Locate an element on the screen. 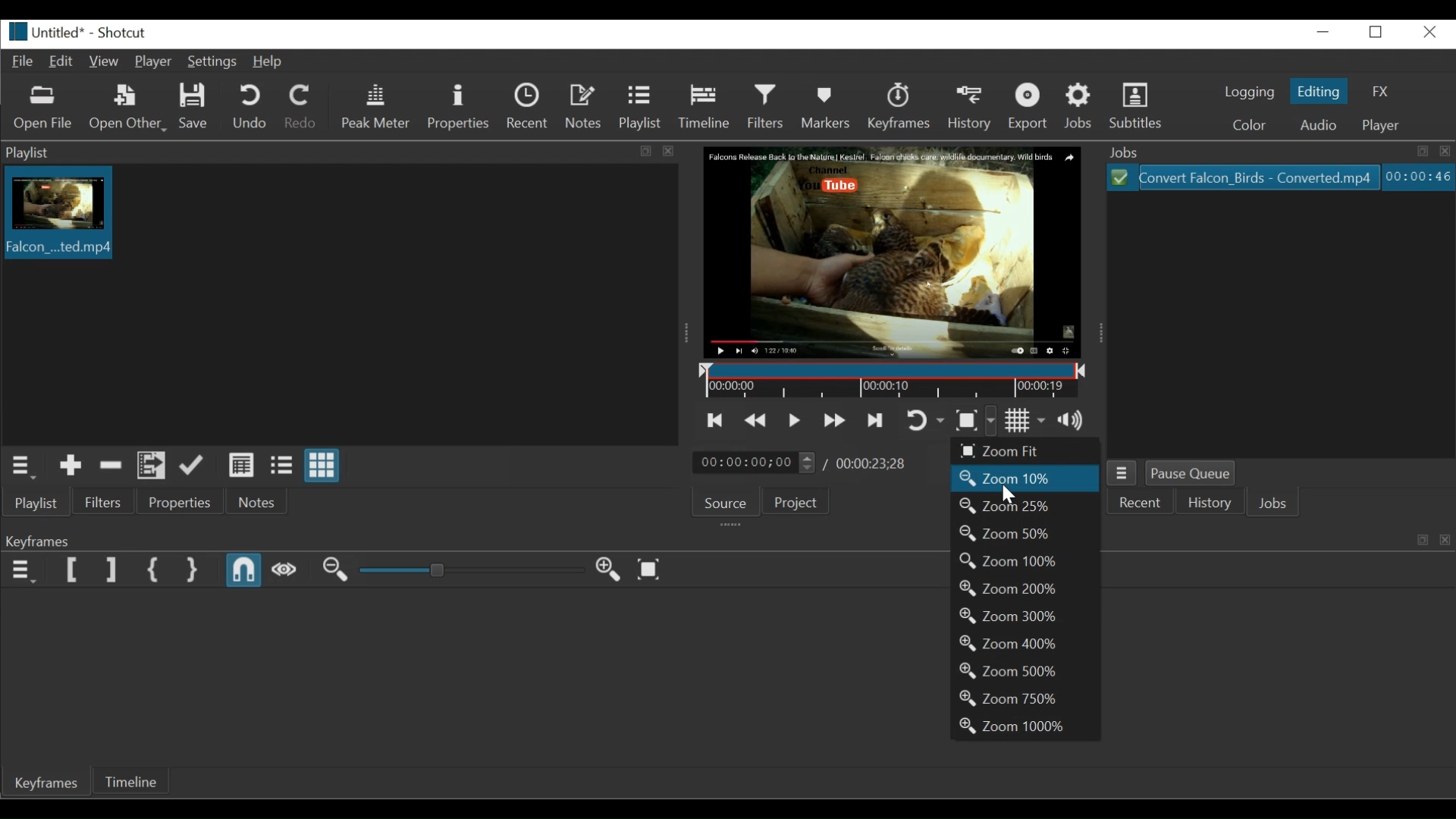 The height and width of the screenshot is (819, 1456). Jobs Menu is located at coordinates (1122, 473).